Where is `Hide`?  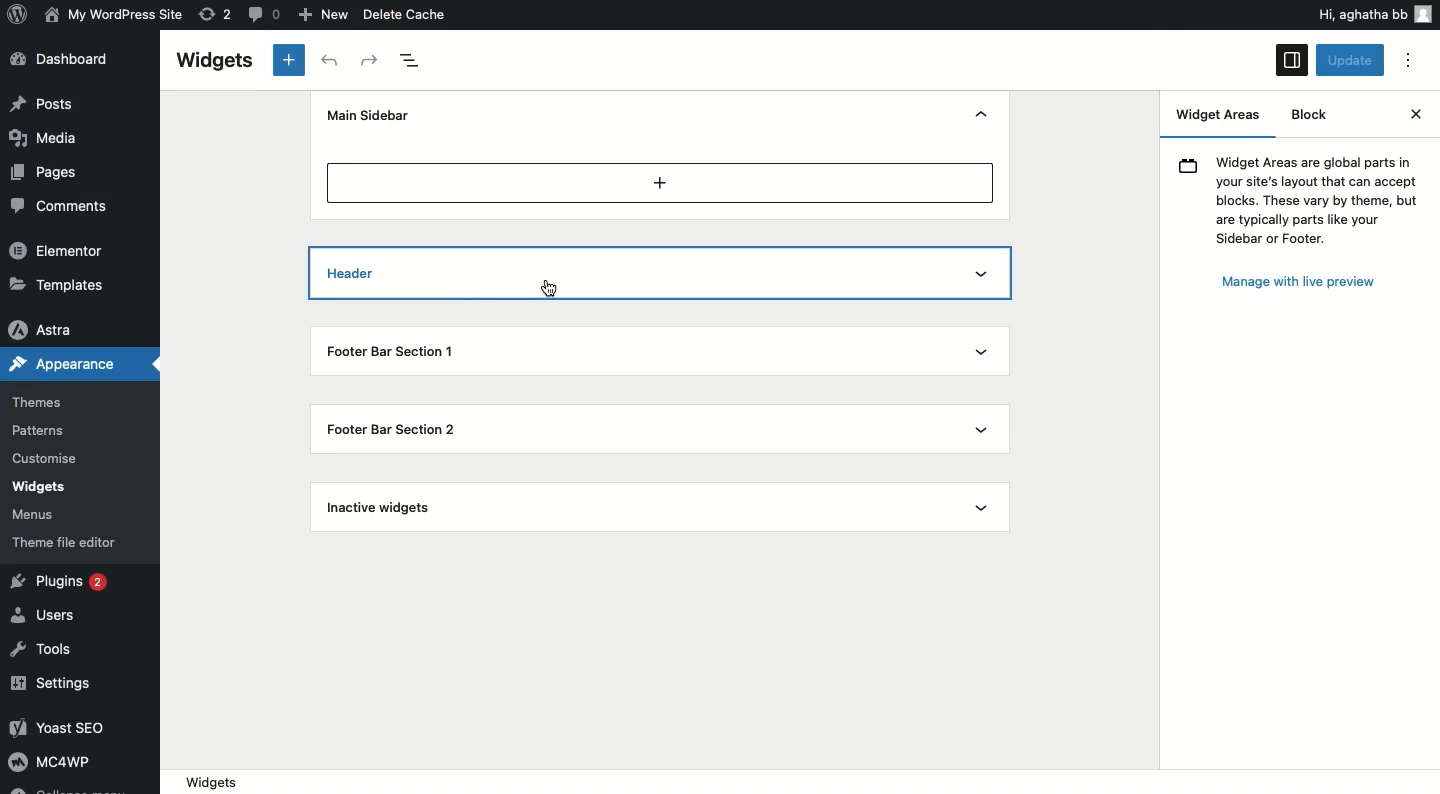 Hide is located at coordinates (981, 116).